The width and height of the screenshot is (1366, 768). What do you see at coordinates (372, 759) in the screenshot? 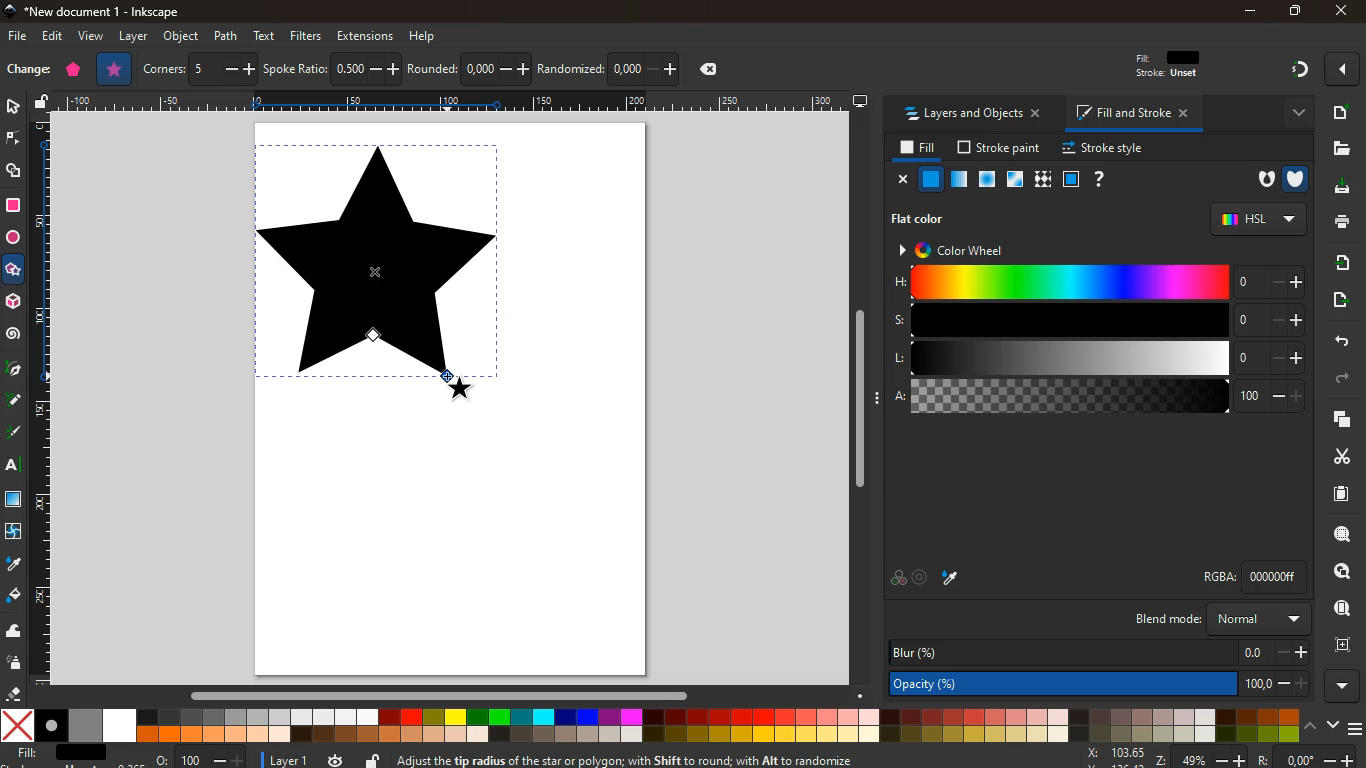
I see `unlock` at bounding box center [372, 759].